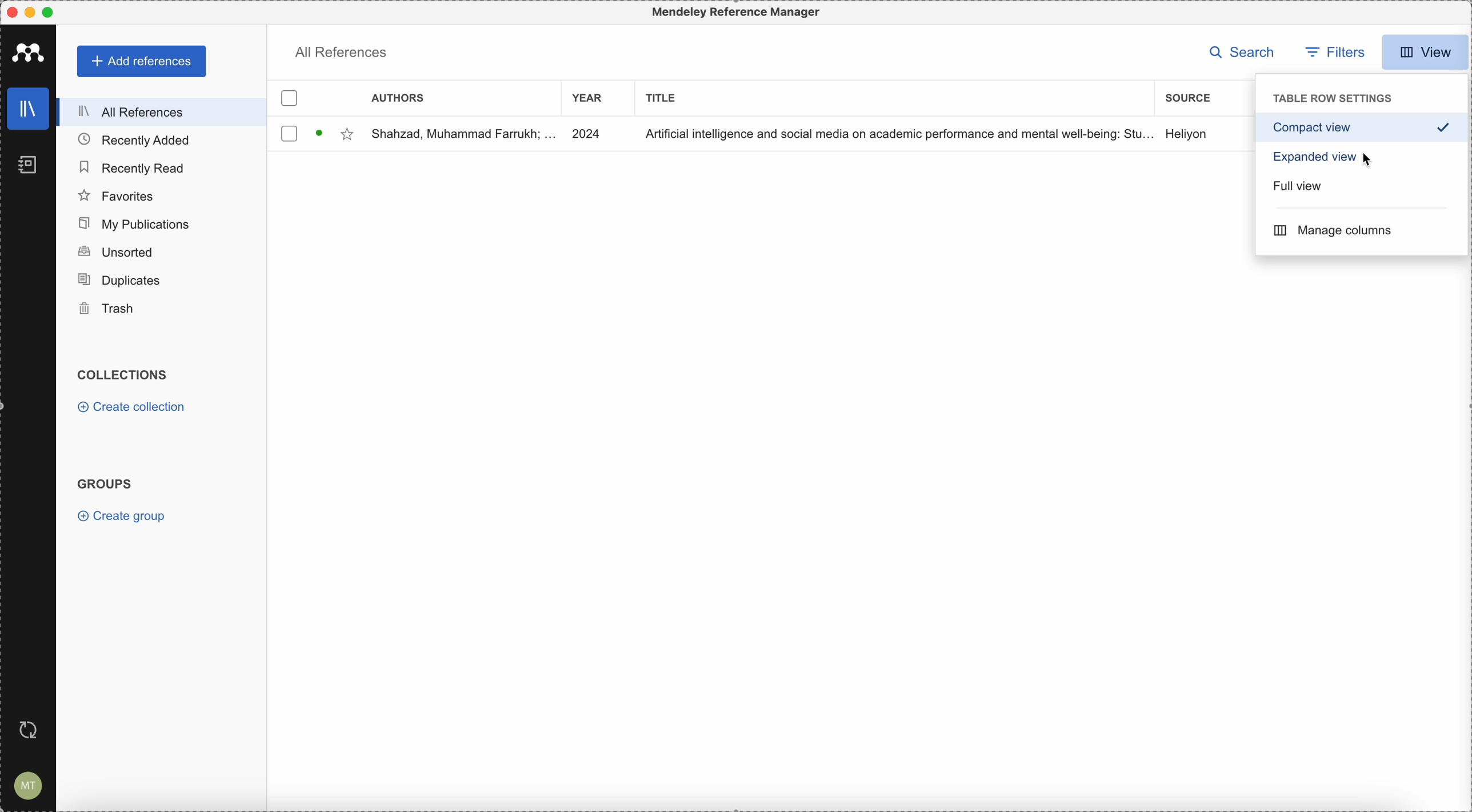 This screenshot has height=812, width=1472. I want to click on favorite, so click(347, 135).